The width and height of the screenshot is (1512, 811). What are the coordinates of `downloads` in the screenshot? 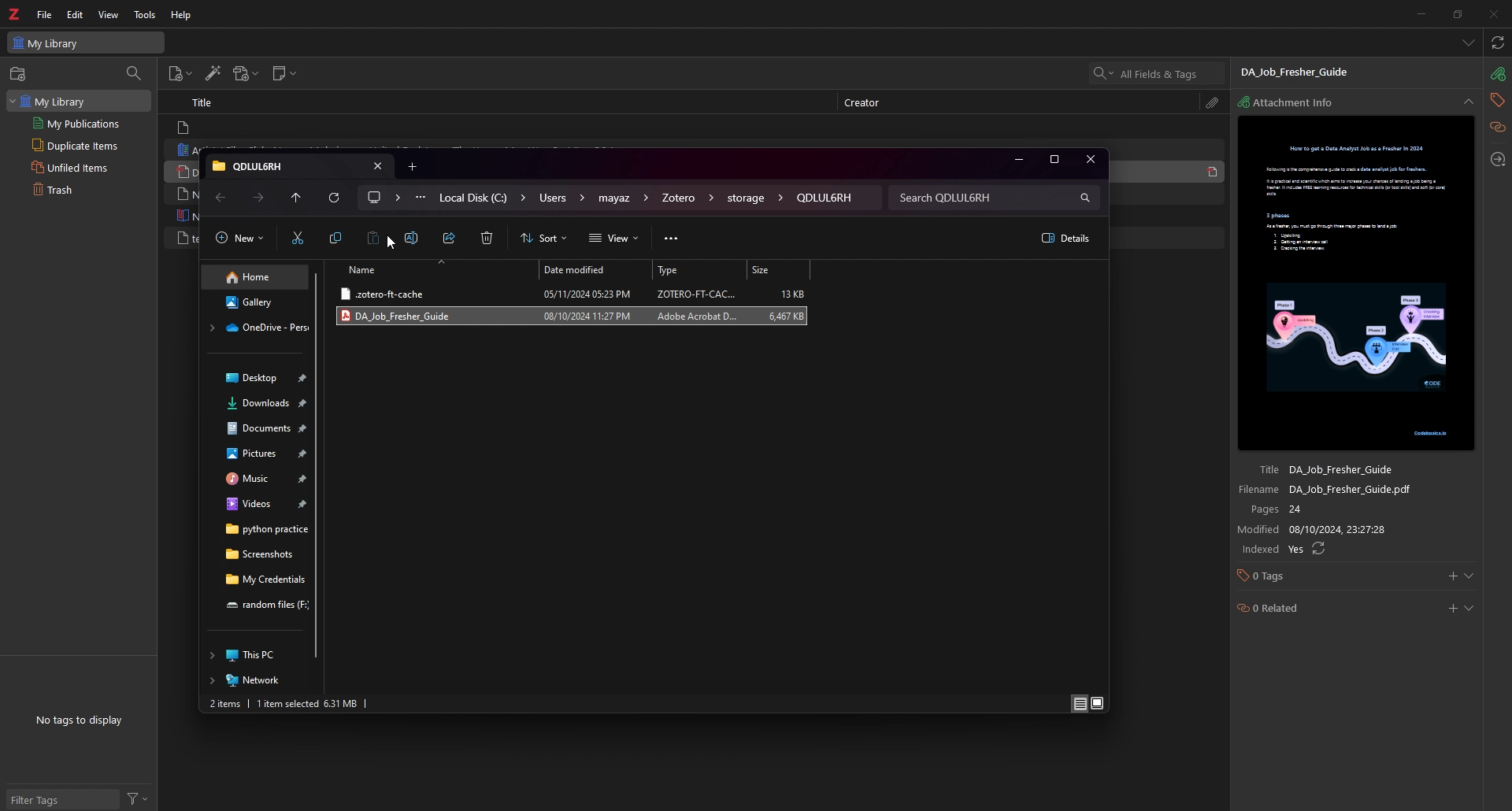 It's located at (258, 402).